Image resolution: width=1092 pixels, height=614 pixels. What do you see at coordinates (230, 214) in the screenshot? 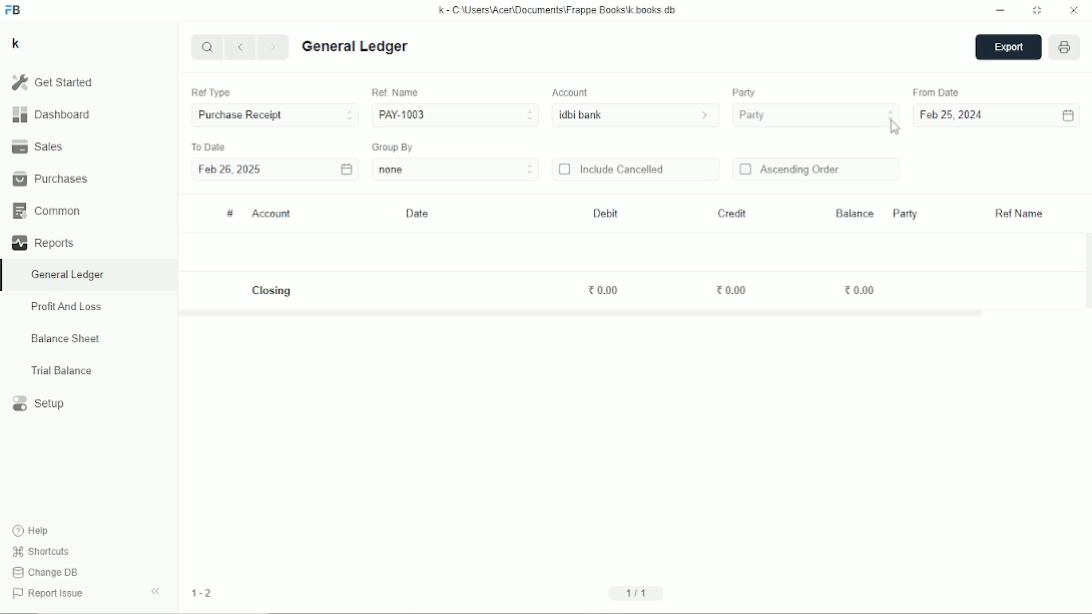
I see `#` at bounding box center [230, 214].